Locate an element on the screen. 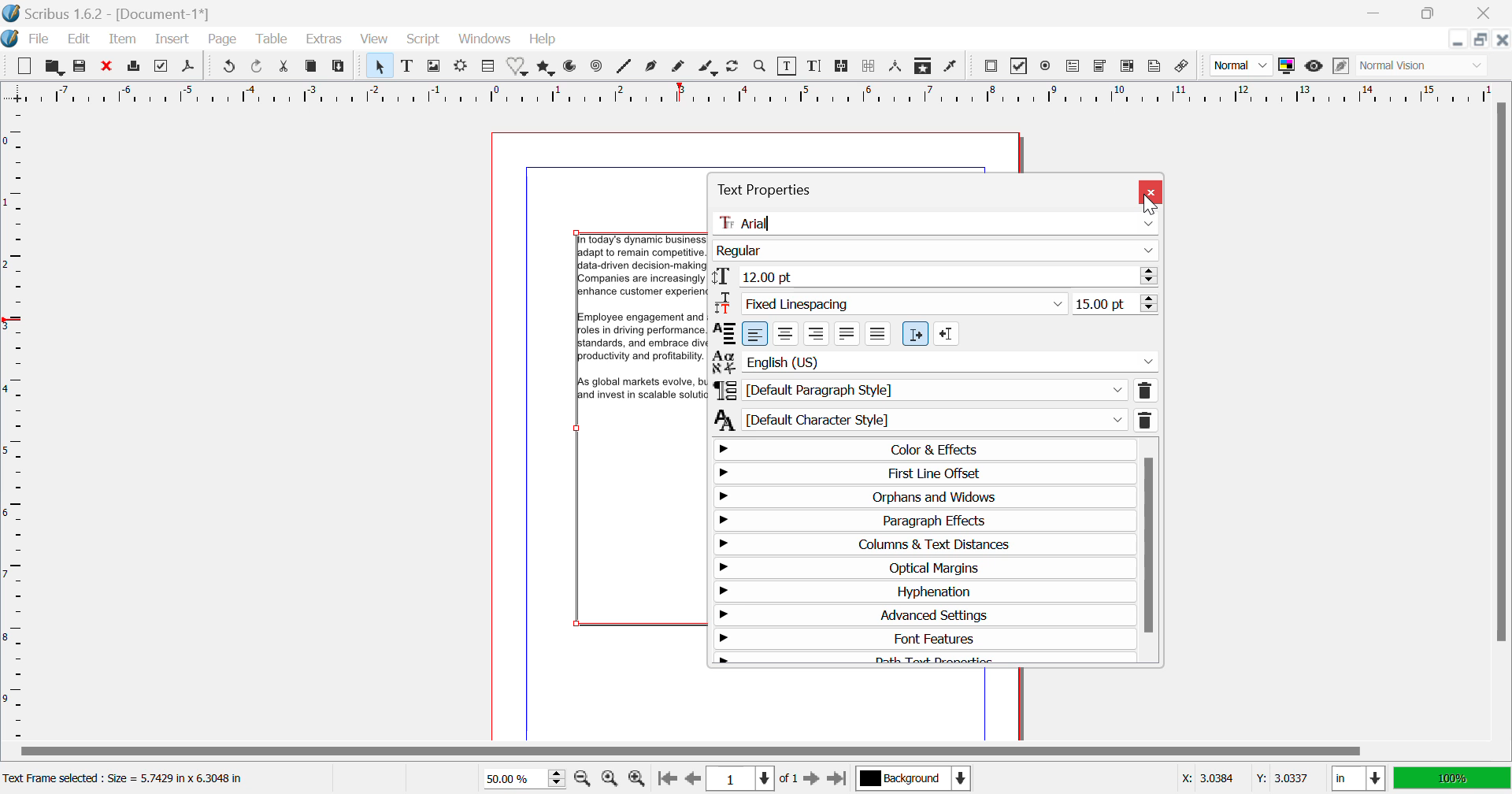  Delink Text Frames is located at coordinates (870, 67).